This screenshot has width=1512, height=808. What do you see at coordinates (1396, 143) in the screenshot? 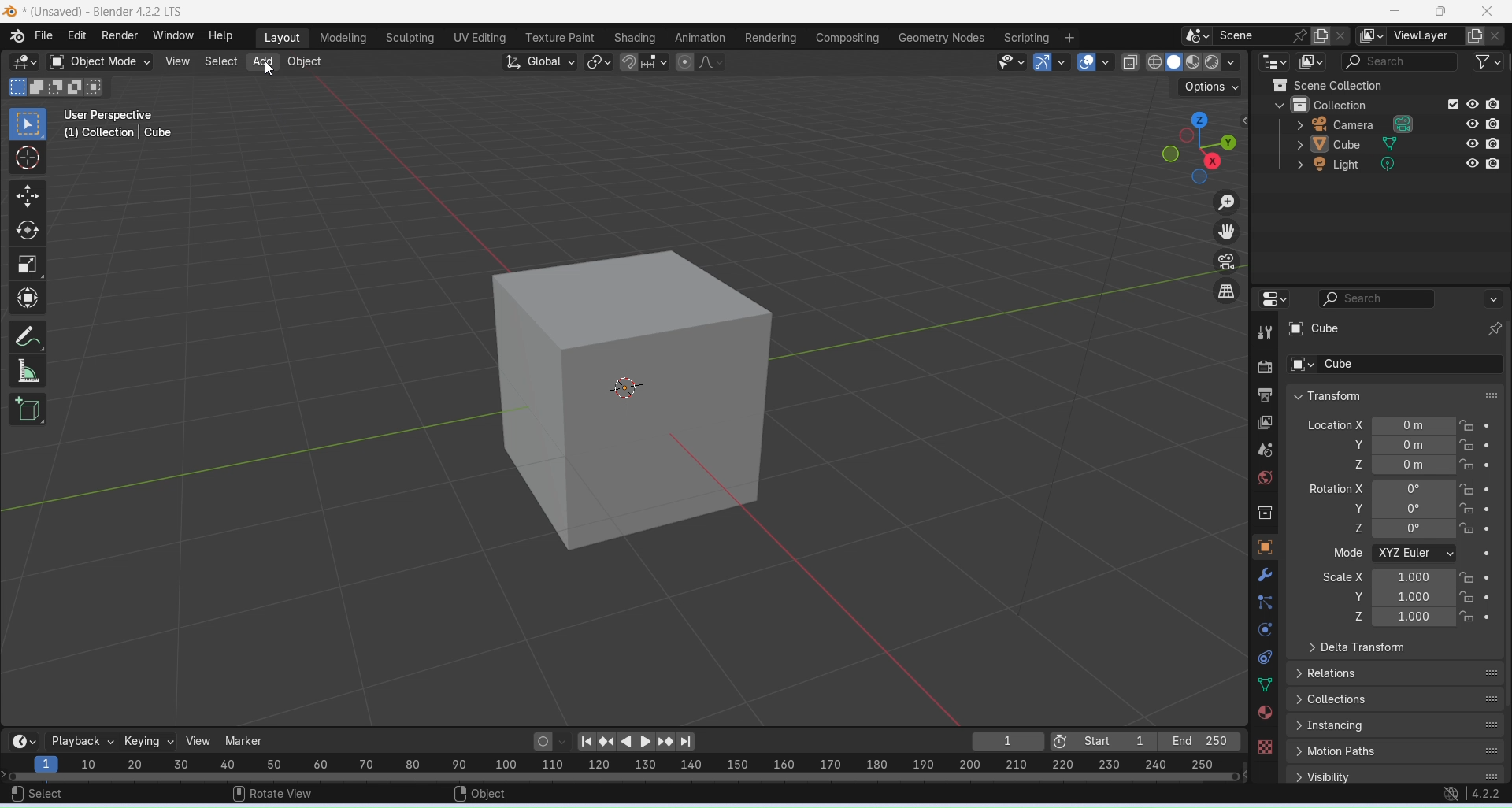
I see `Cube layer` at bounding box center [1396, 143].